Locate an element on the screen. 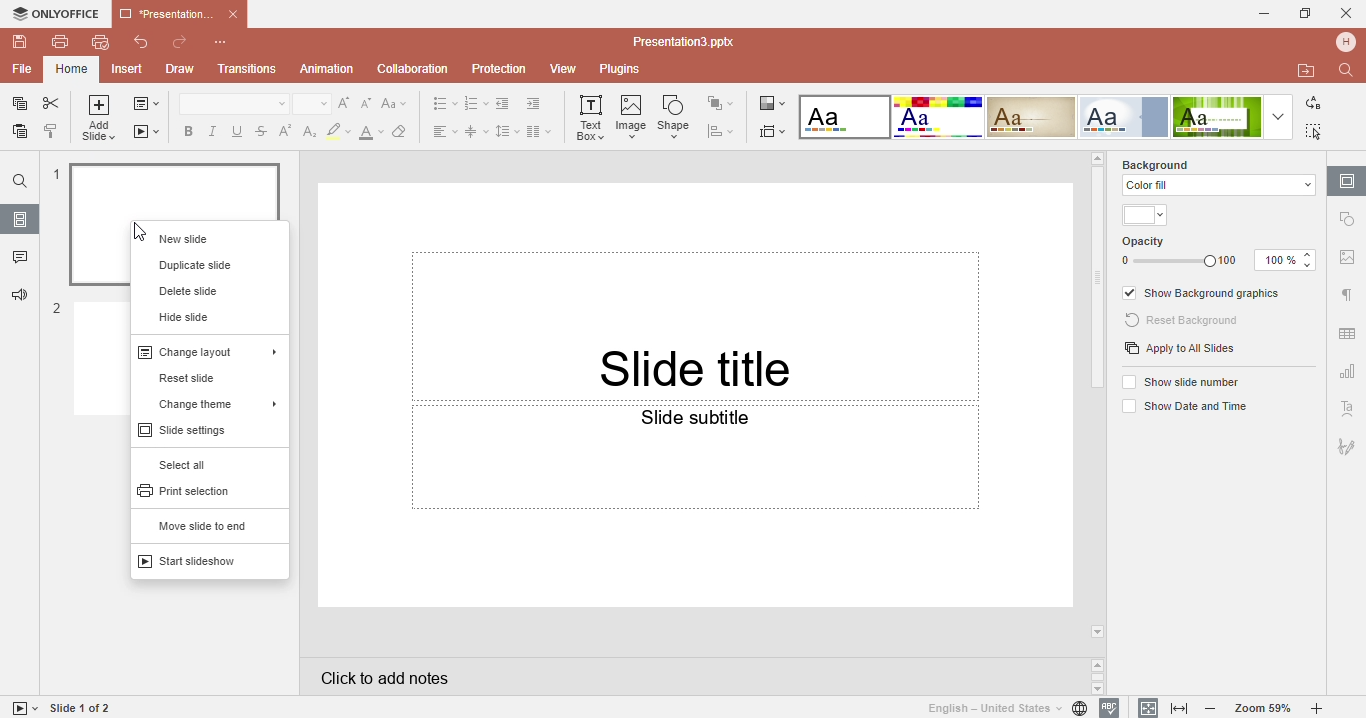 Image resolution: width=1366 pixels, height=718 pixels. Find is located at coordinates (19, 181).